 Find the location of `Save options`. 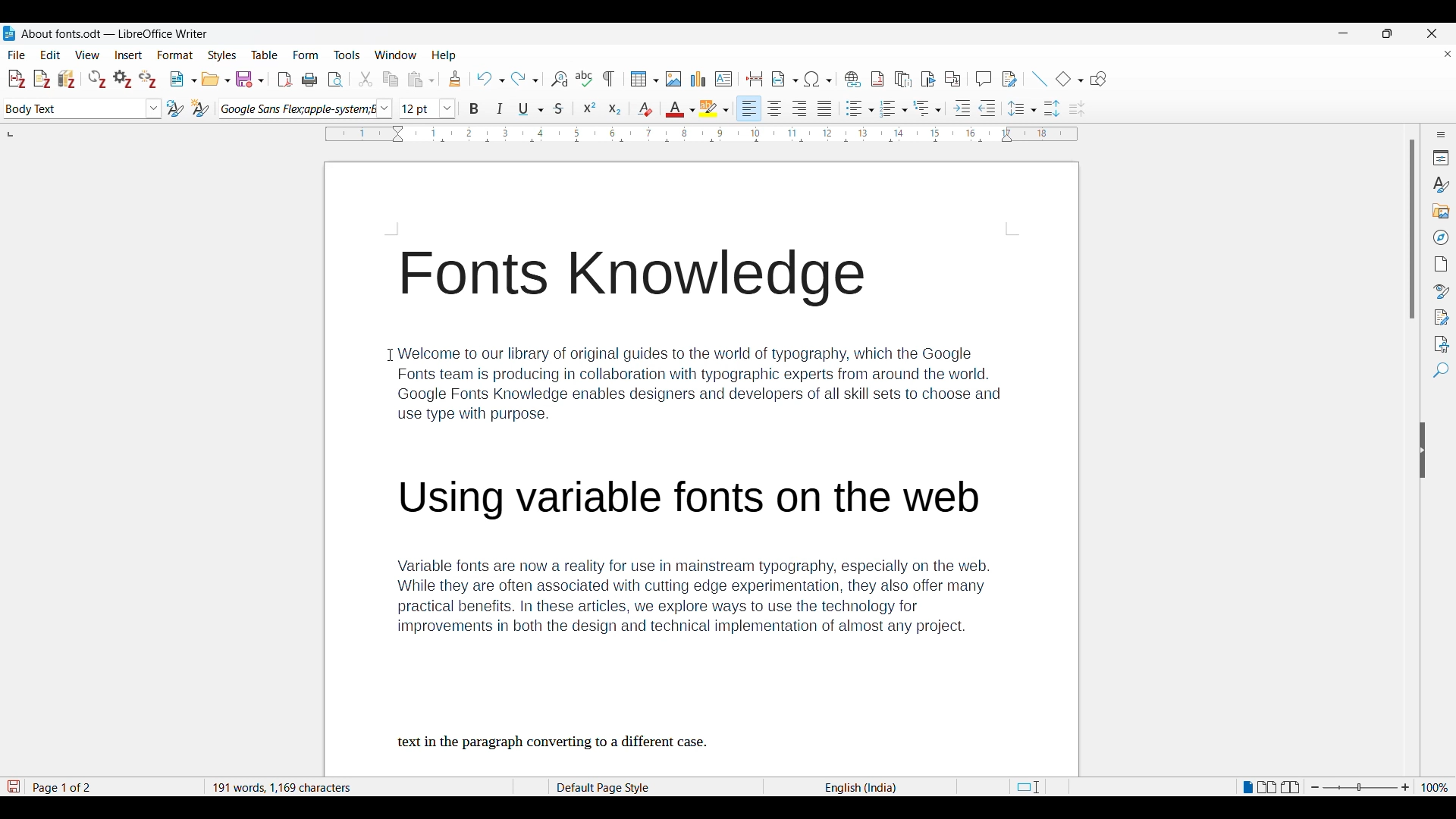

Save options is located at coordinates (249, 80).